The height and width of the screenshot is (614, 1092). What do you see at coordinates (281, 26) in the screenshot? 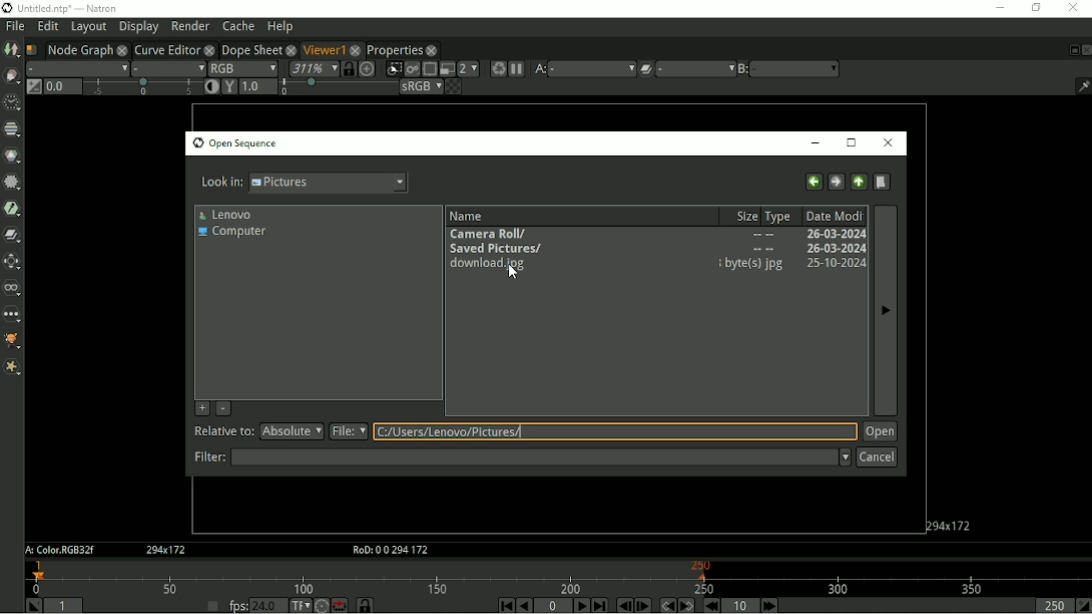
I see `Help` at bounding box center [281, 26].